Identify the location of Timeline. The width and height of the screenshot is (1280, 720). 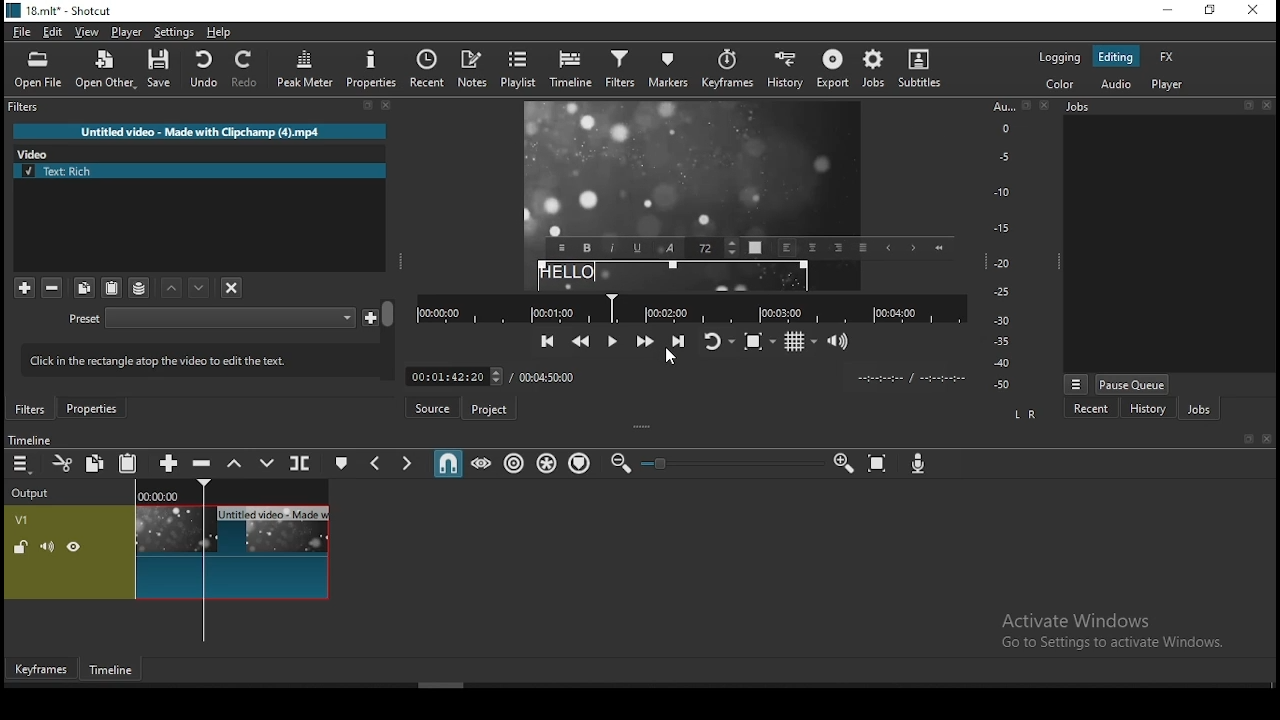
(29, 439).